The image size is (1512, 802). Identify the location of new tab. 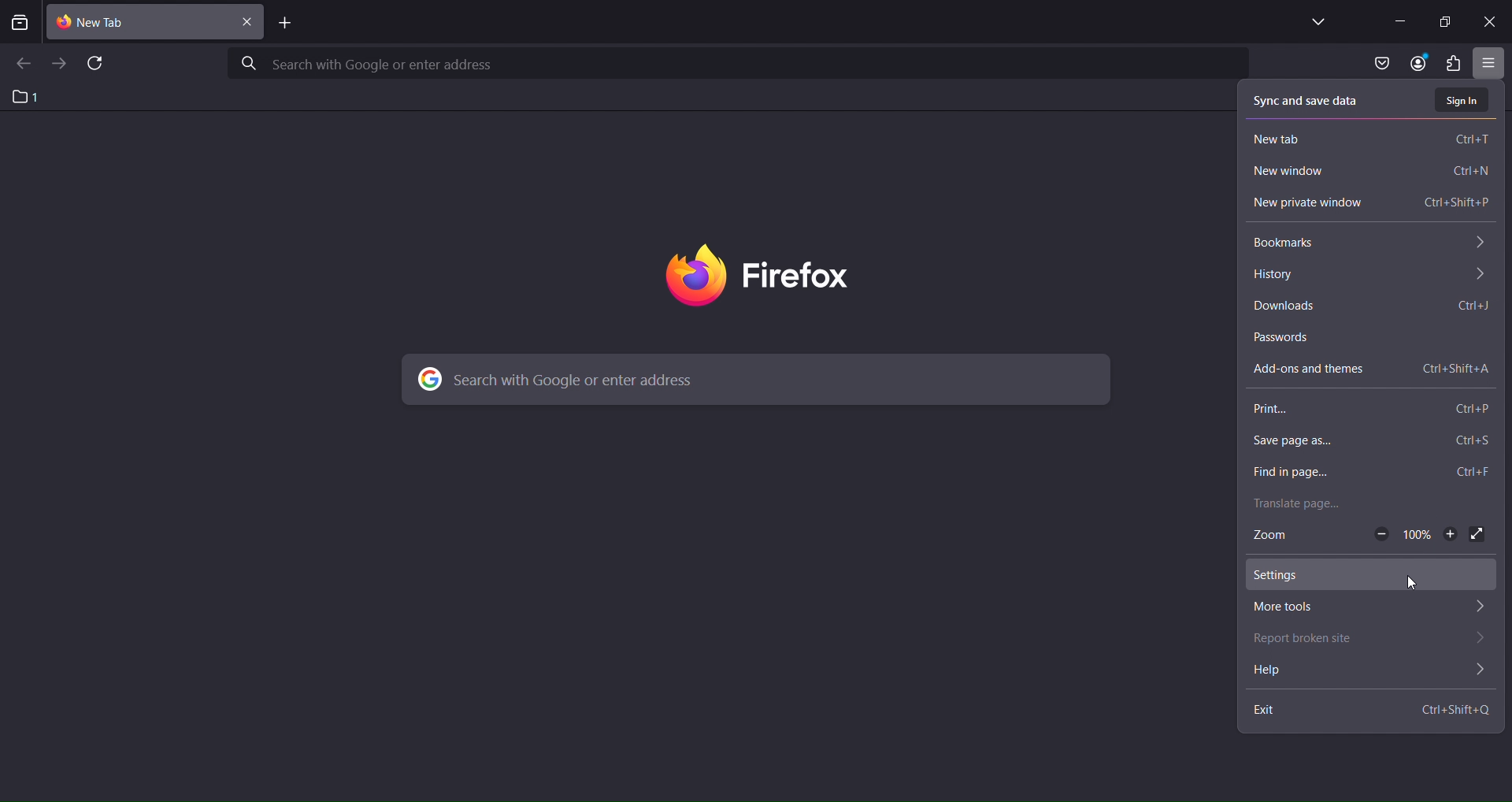
(285, 24).